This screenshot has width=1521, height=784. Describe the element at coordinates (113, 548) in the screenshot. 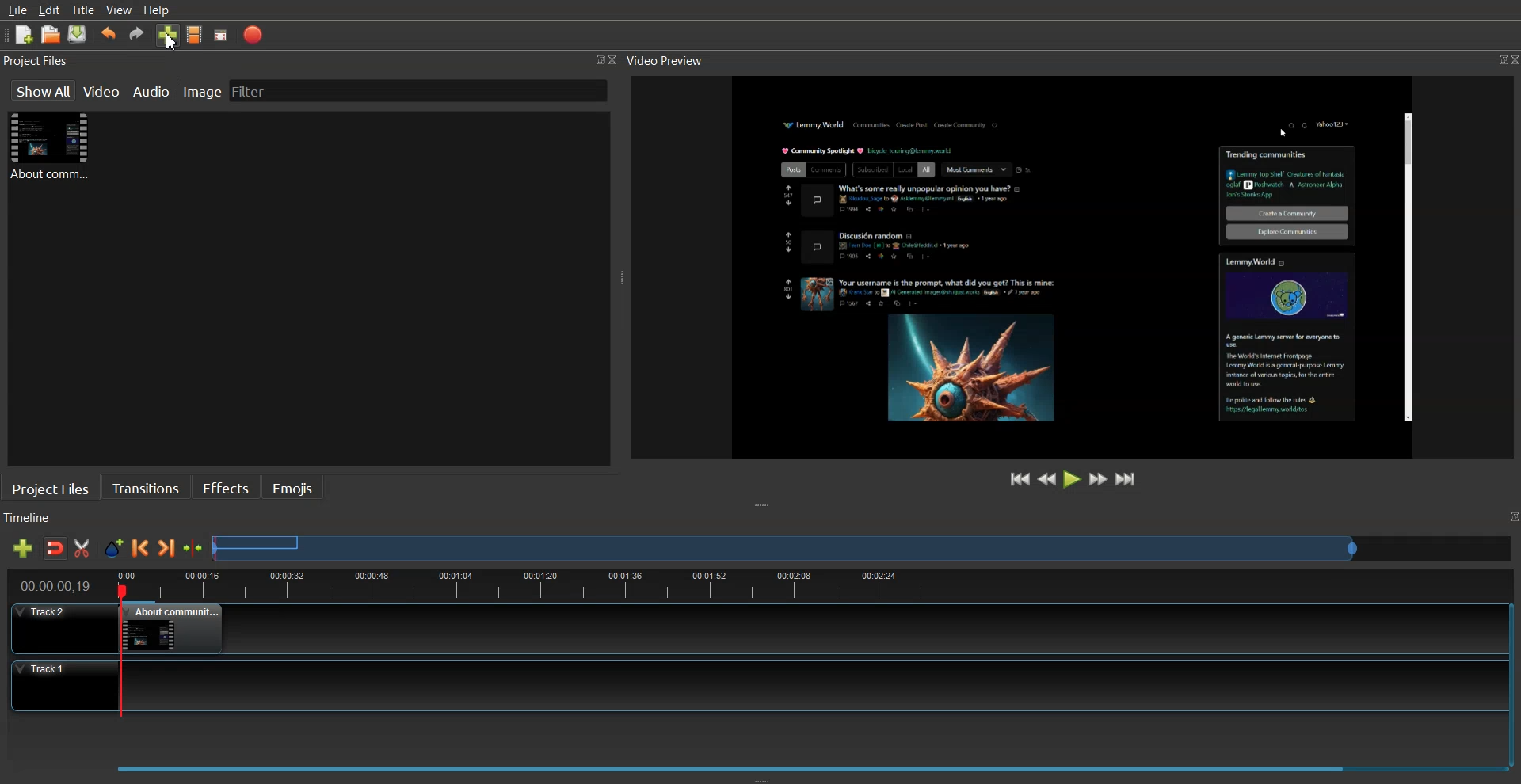

I see `Add Marker` at that location.